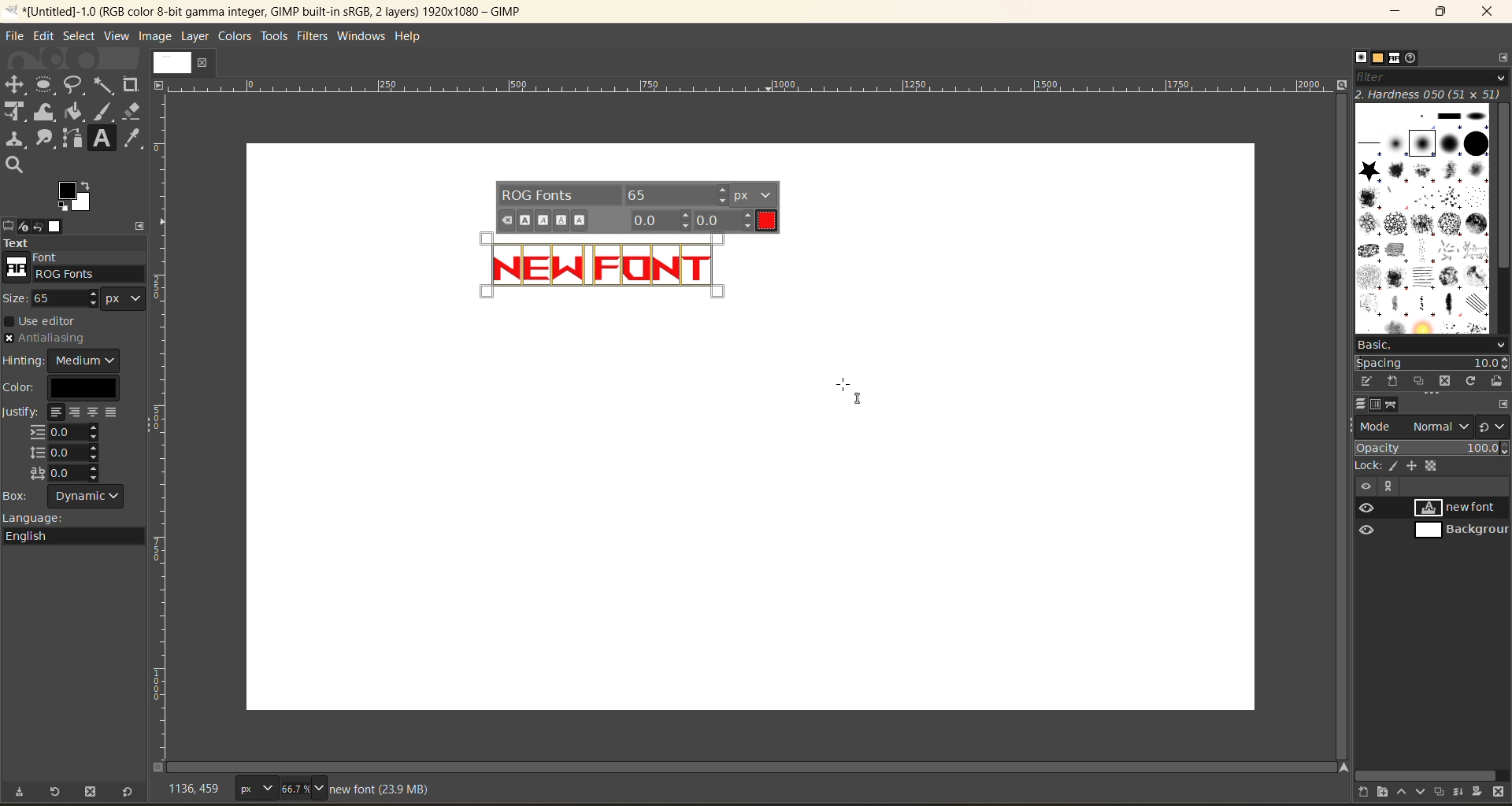 The width and height of the screenshot is (1512, 806). I want to click on background, so click(1459, 531).